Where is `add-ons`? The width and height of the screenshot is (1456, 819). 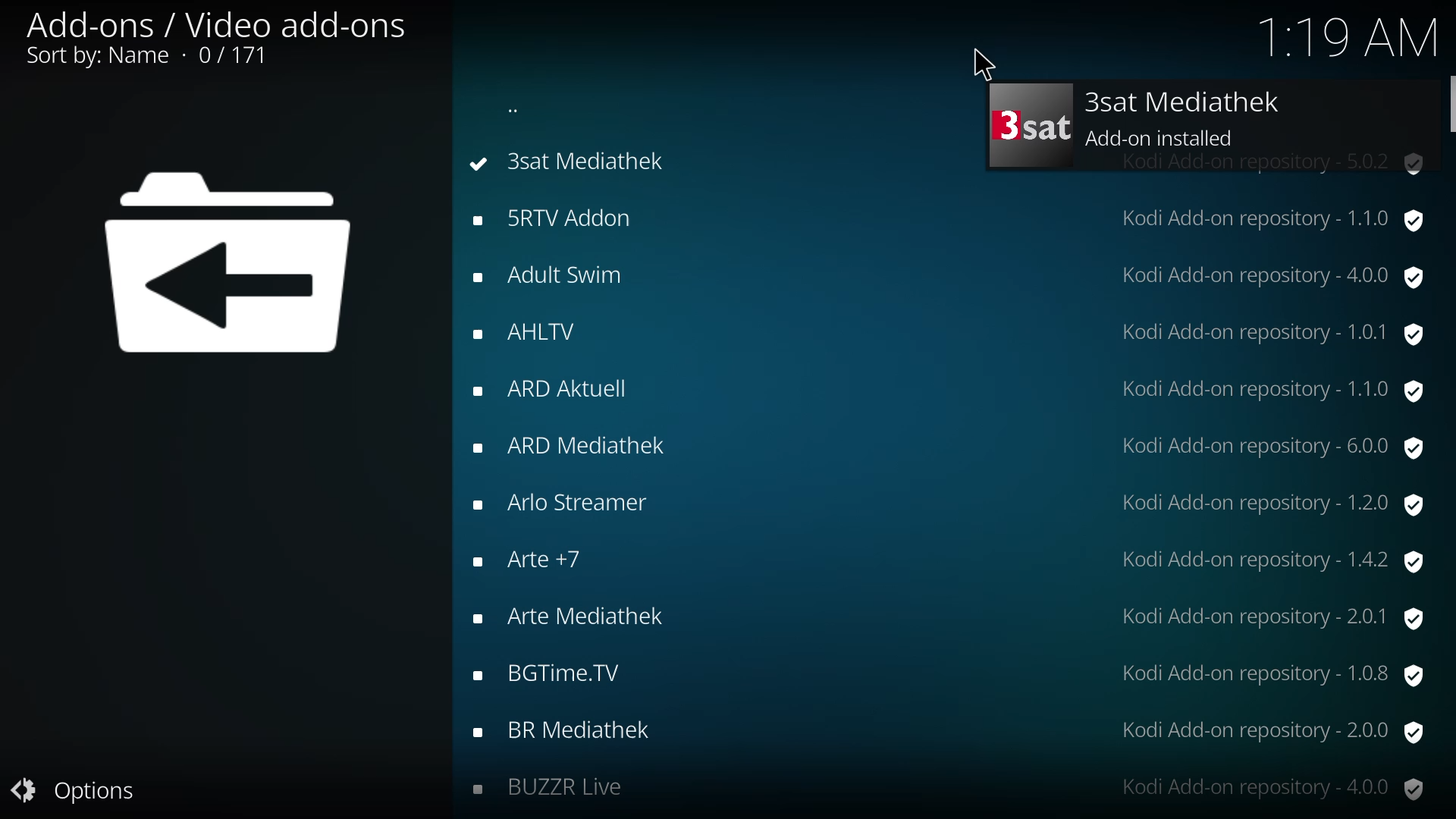
add-ons is located at coordinates (546, 275).